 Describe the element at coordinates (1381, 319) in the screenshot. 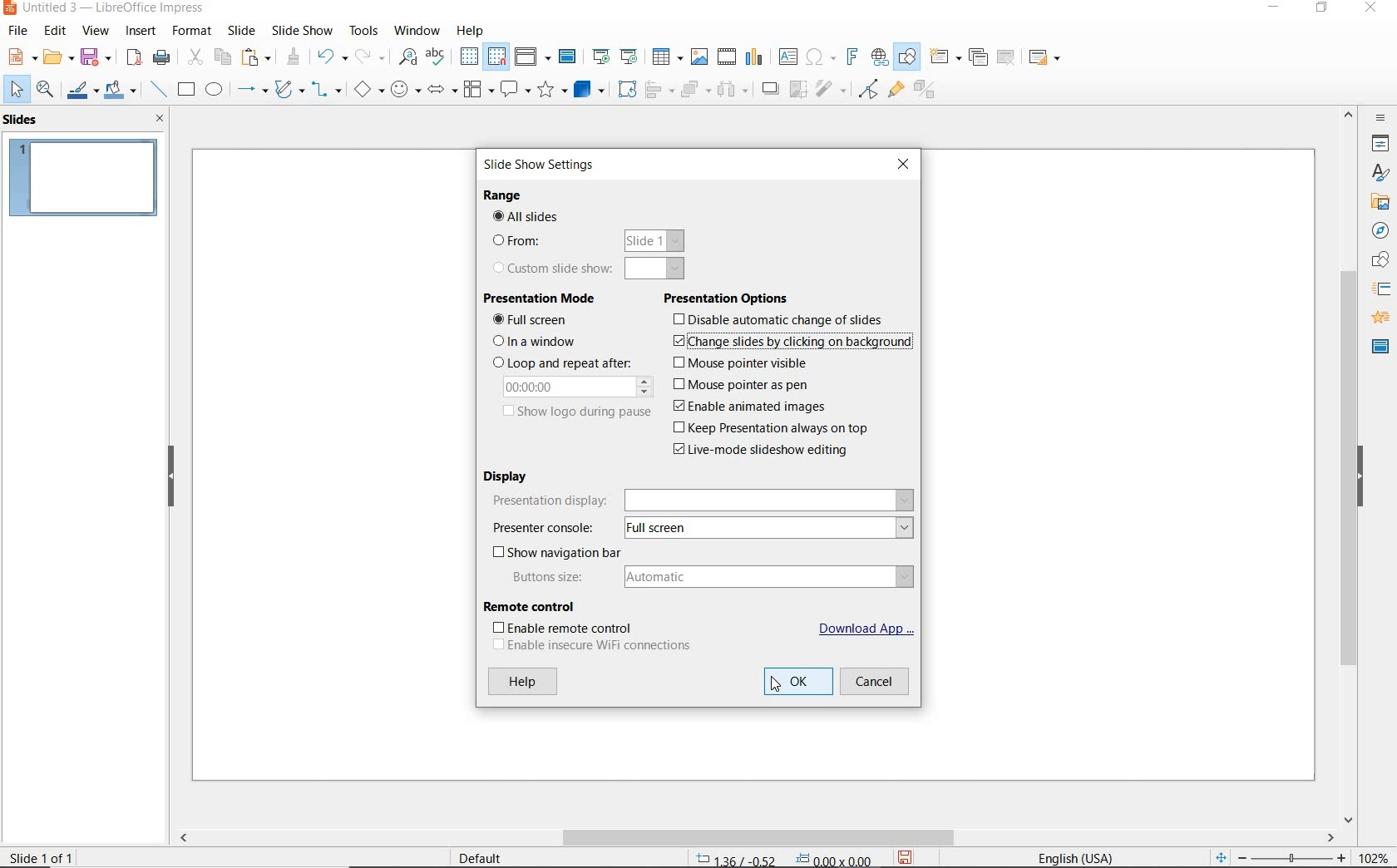

I see `ANIMATION` at that location.